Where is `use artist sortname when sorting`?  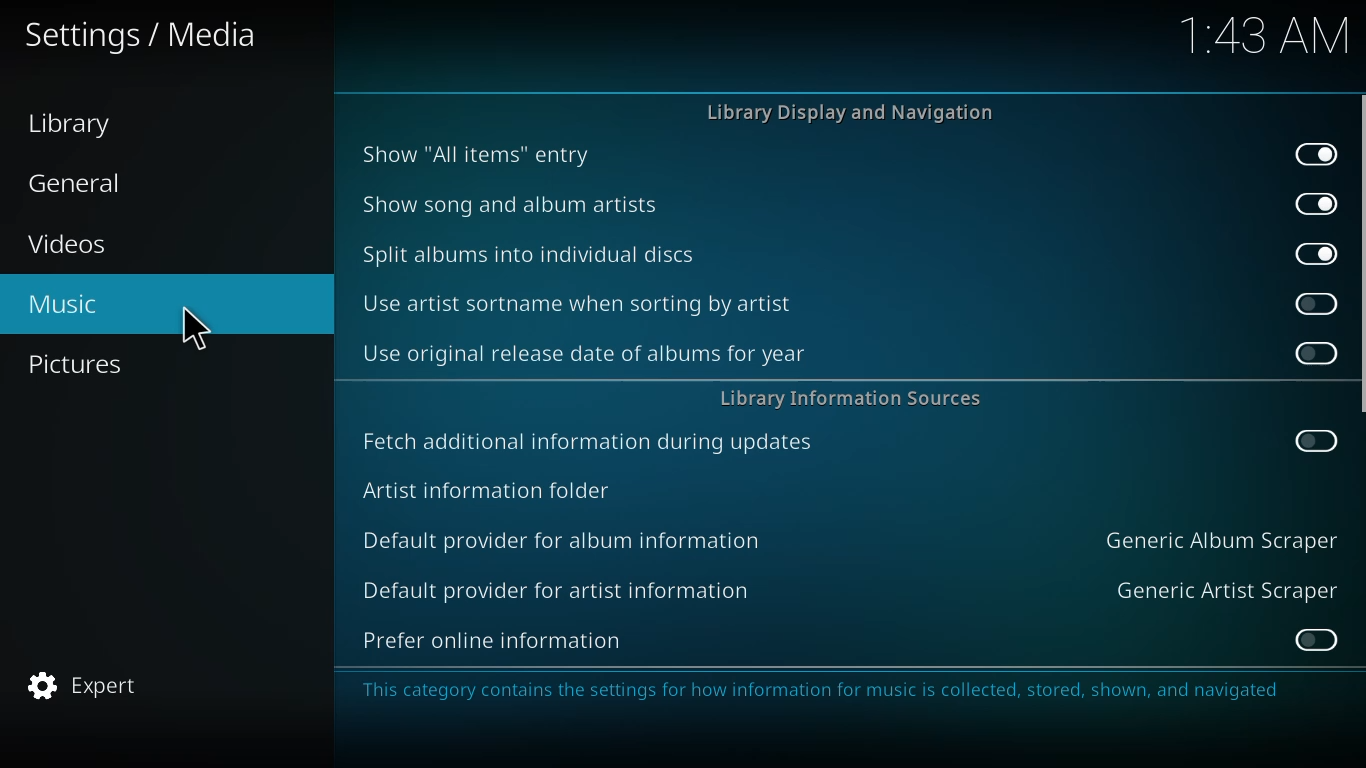 use artist sortname when sorting is located at coordinates (581, 303).